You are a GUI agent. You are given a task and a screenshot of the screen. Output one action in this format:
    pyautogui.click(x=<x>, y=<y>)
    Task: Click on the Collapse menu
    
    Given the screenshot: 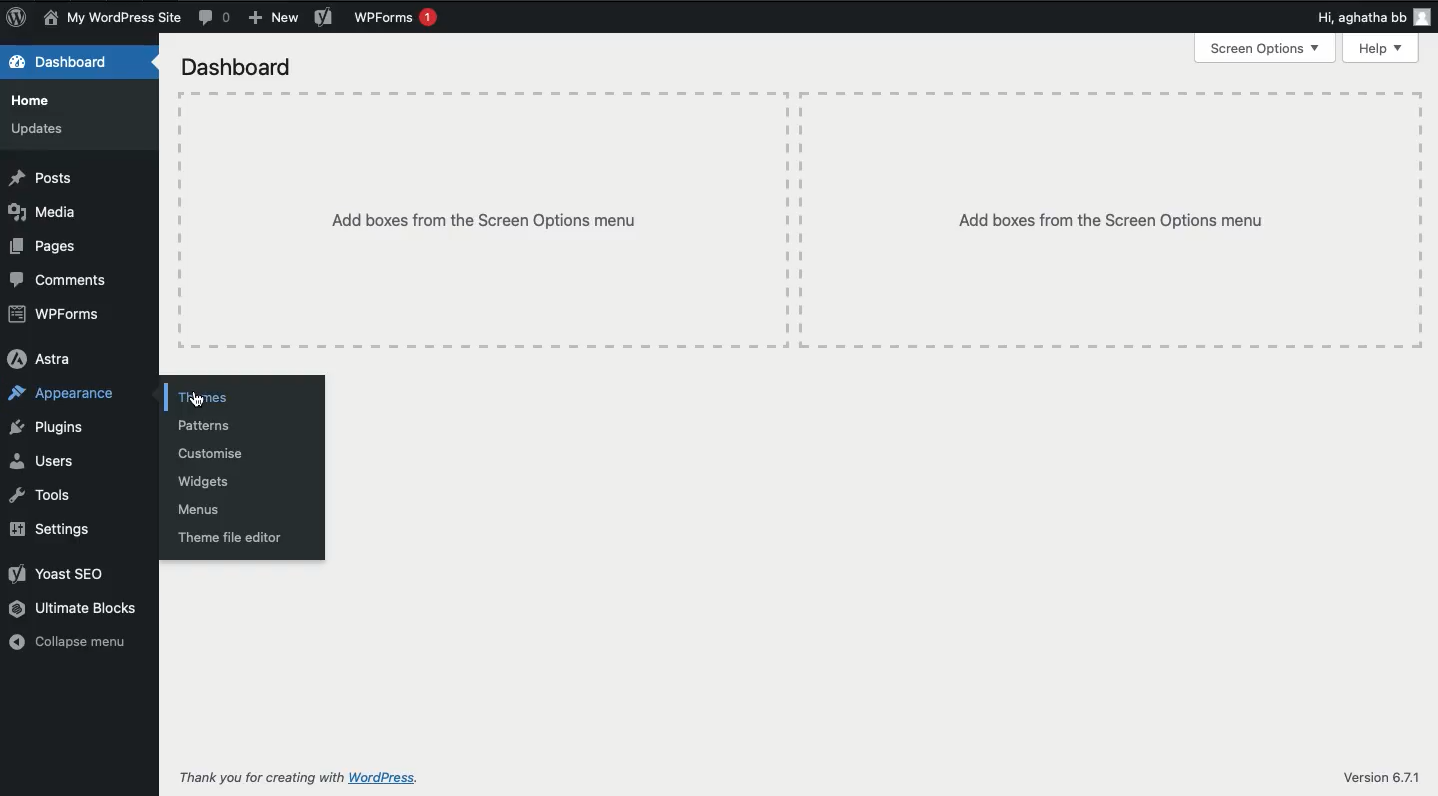 What is the action you would take?
    pyautogui.click(x=75, y=643)
    